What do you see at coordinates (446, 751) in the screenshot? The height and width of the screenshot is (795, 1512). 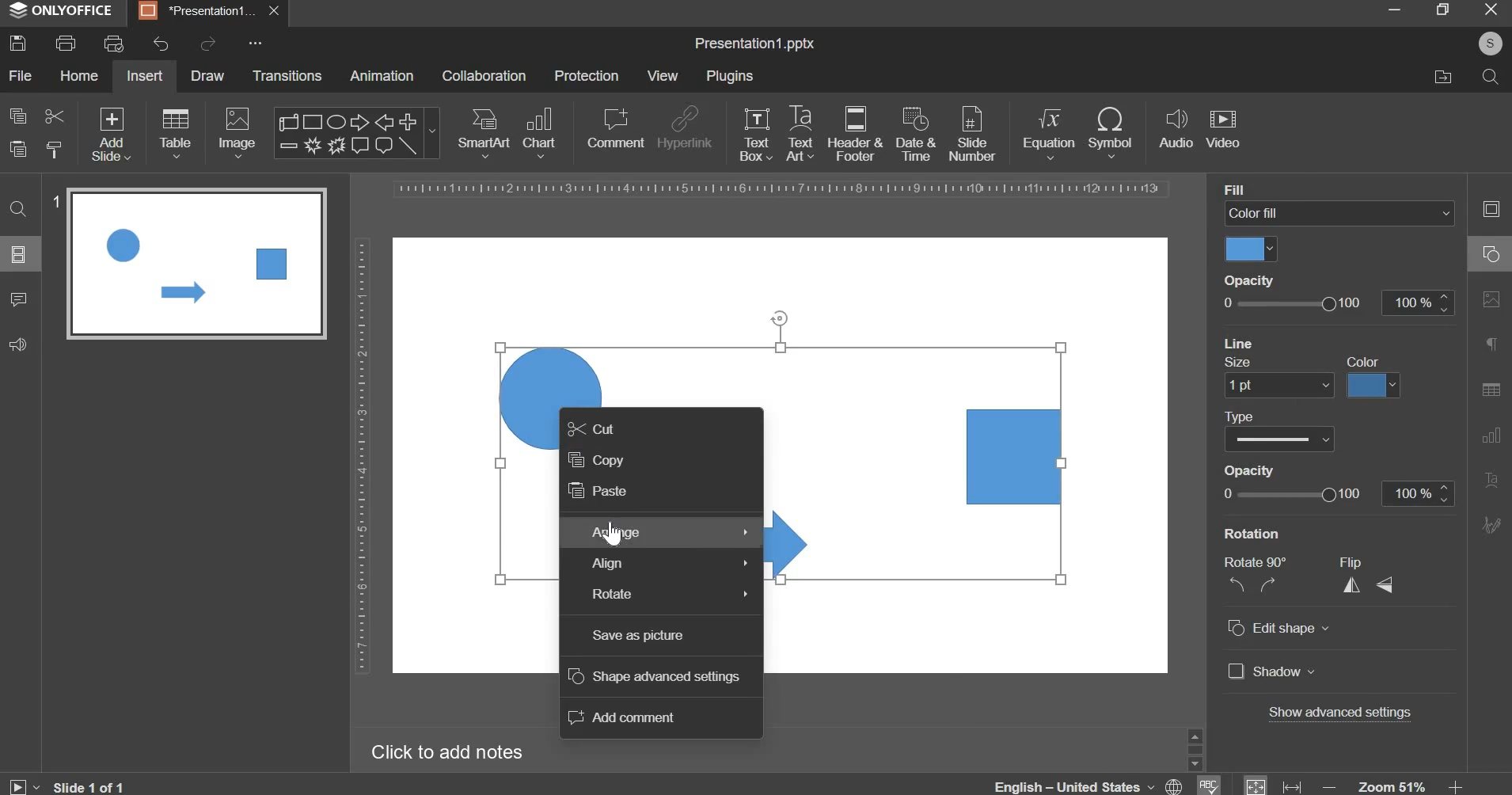 I see `Click to add notes` at bounding box center [446, 751].